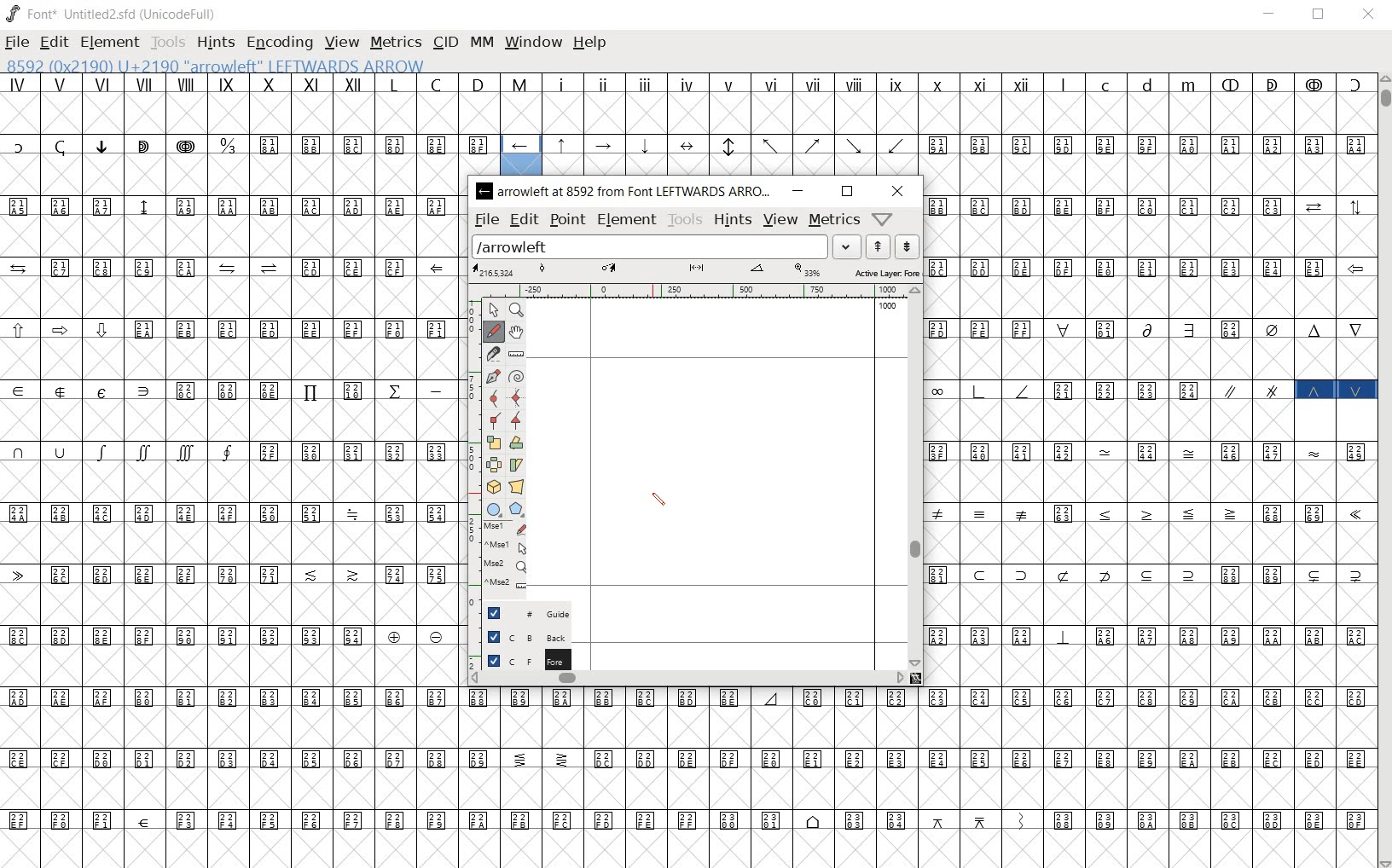 This screenshot has width=1392, height=868. Describe the element at coordinates (915, 477) in the screenshot. I see `scrollbar` at that location.